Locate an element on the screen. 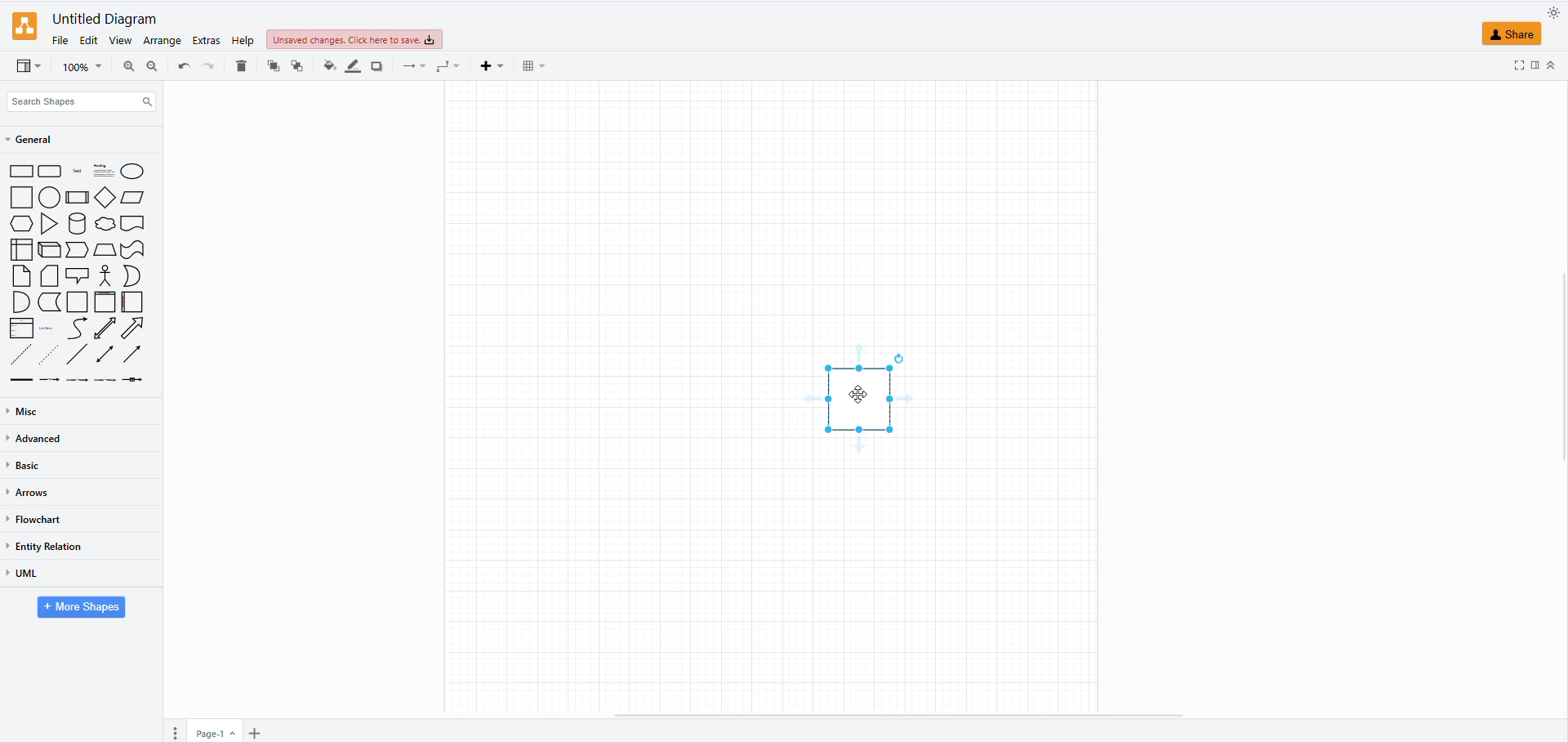 The image size is (1568, 742). basic is located at coordinates (31, 467).